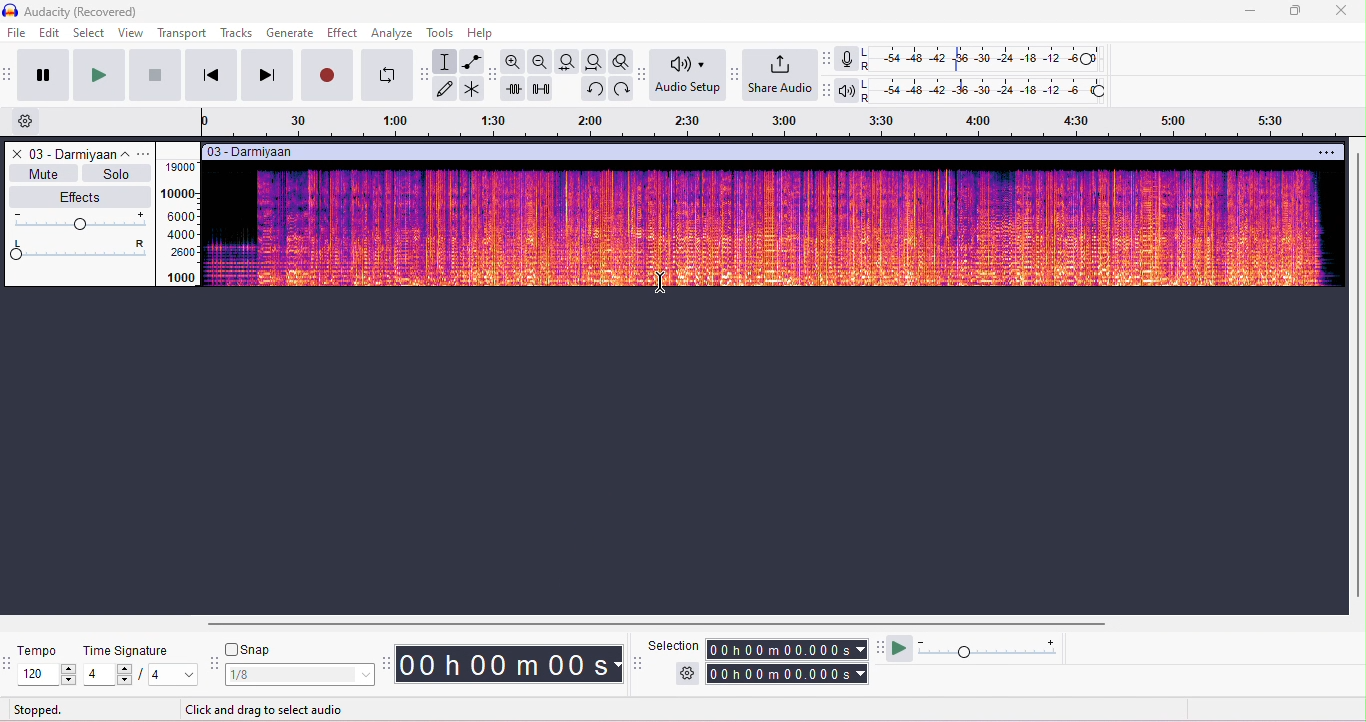 This screenshot has width=1366, height=722. Describe the element at coordinates (879, 647) in the screenshot. I see `play at speed tool bar` at that location.